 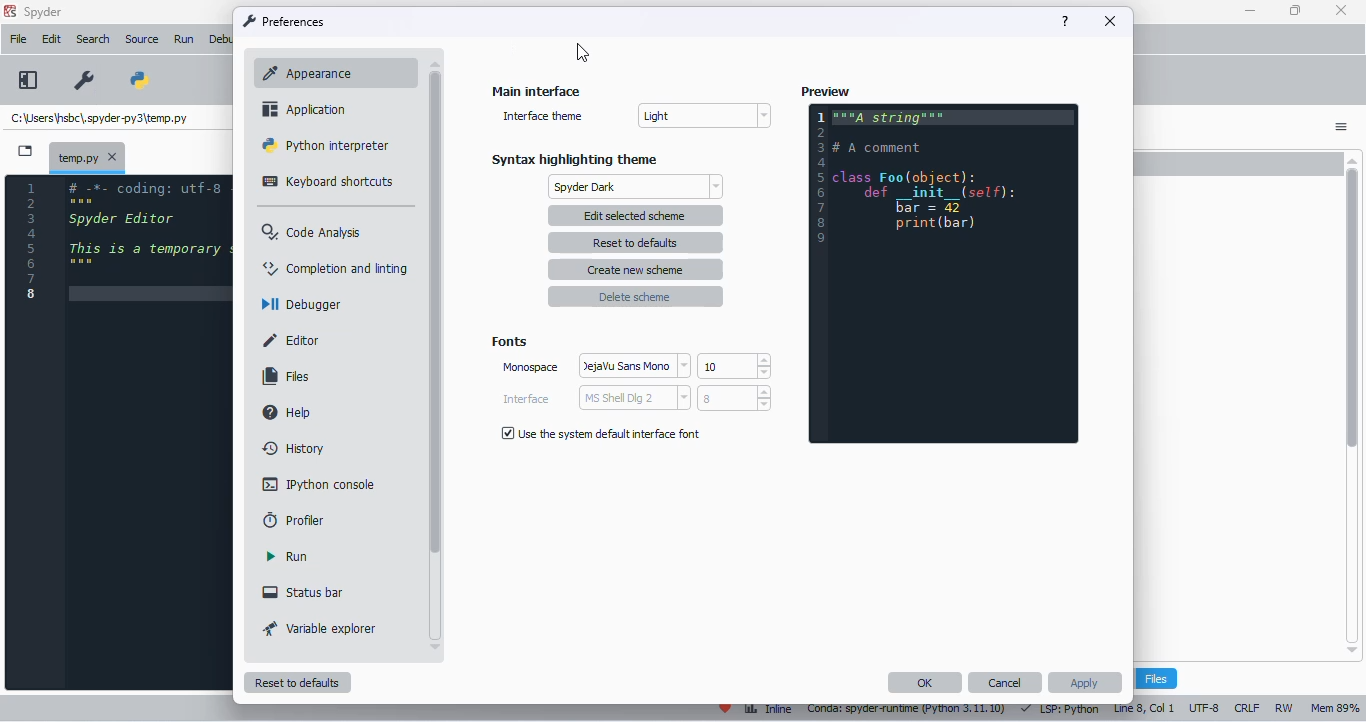 I want to click on edit, so click(x=52, y=39).